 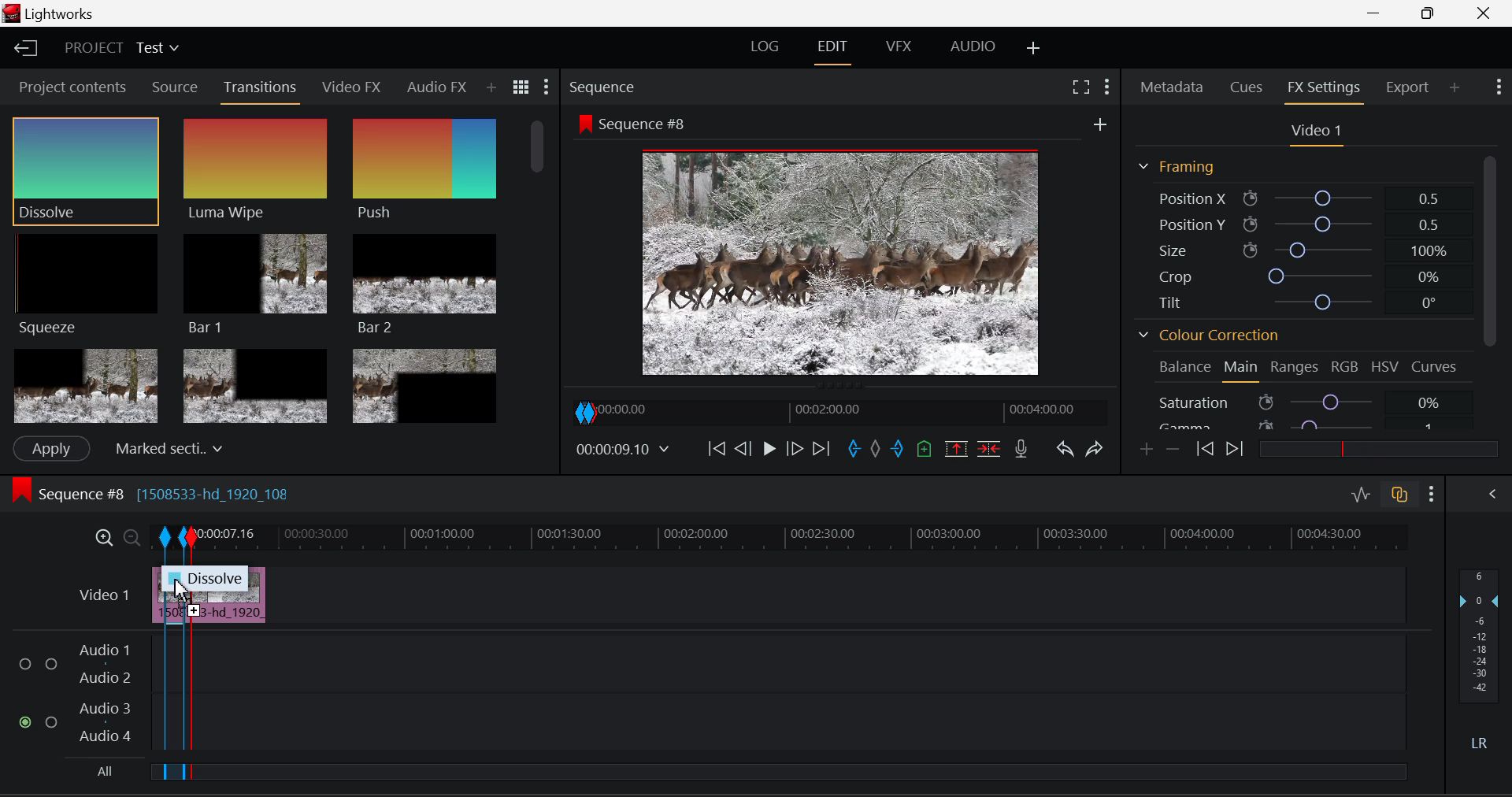 What do you see at coordinates (318, 447) in the screenshot?
I see `frames input` at bounding box center [318, 447].